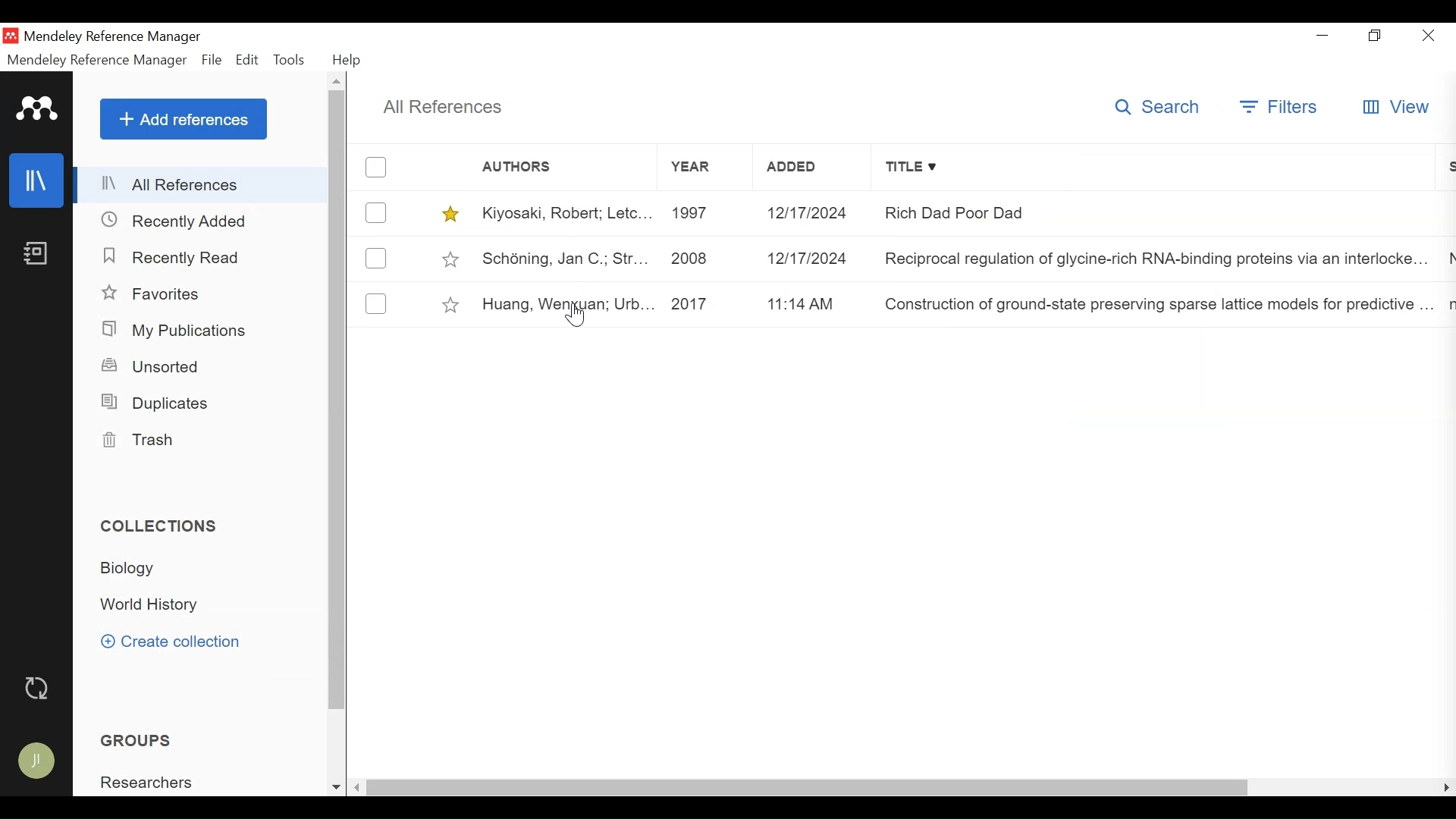 This screenshot has height=819, width=1456. What do you see at coordinates (157, 293) in the screenshot?
I see `Favorites` at bounding box center [157, 293].